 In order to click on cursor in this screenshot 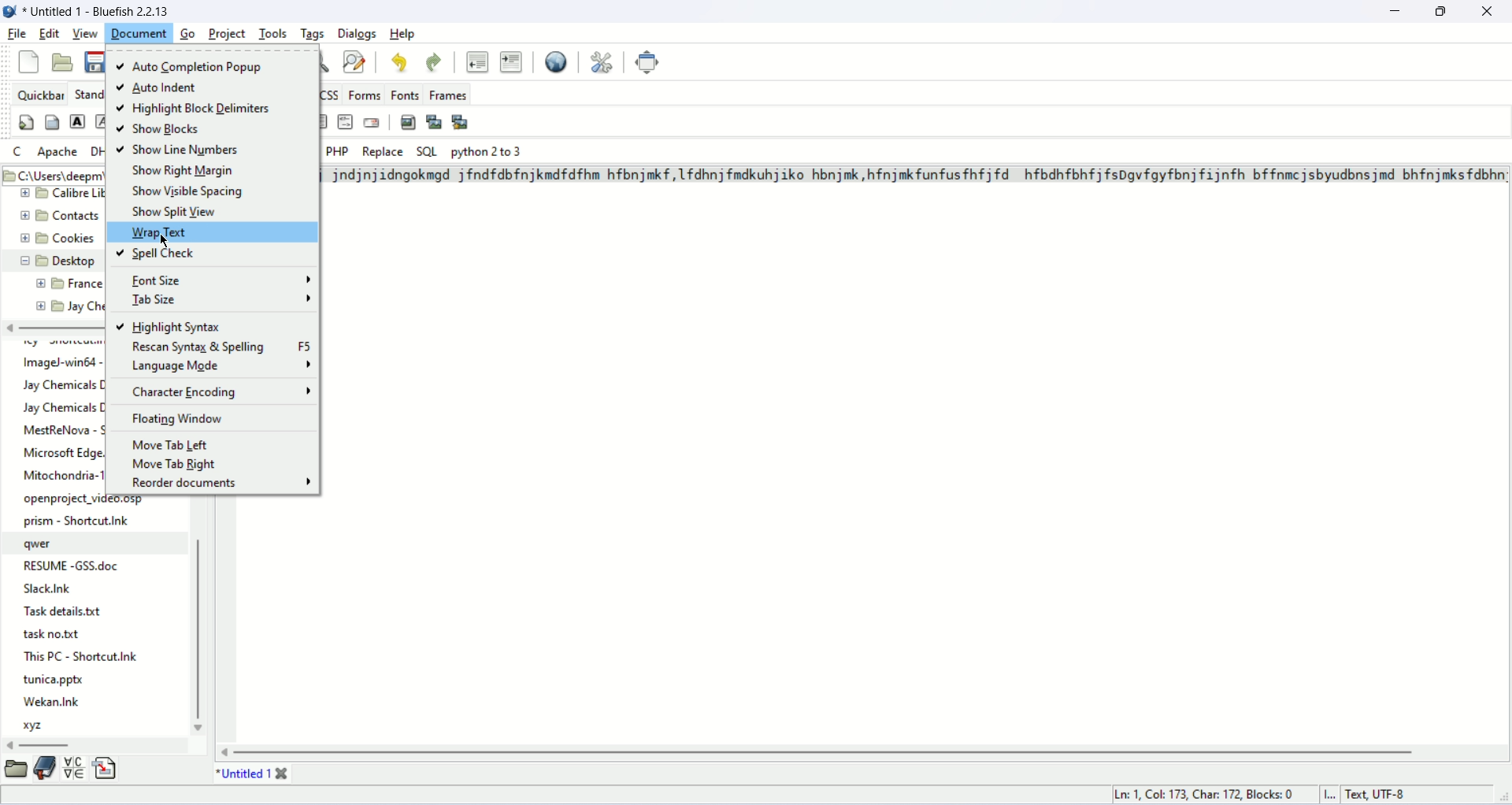, I will do `click(169, 239)`.